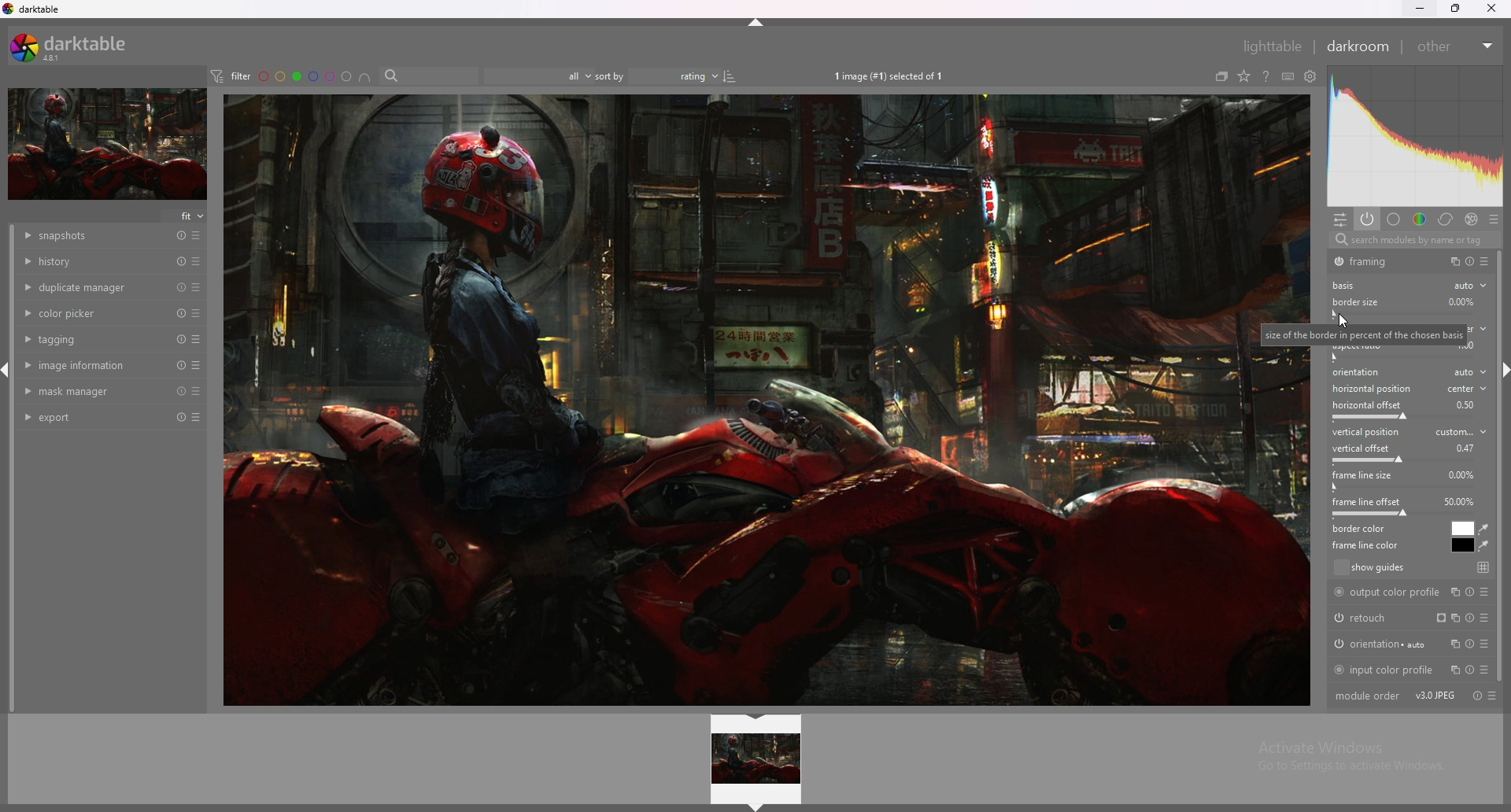 Image resolution: width=1511 pixels, height=812 pixels. I want to click on presets, so click(197, 287).